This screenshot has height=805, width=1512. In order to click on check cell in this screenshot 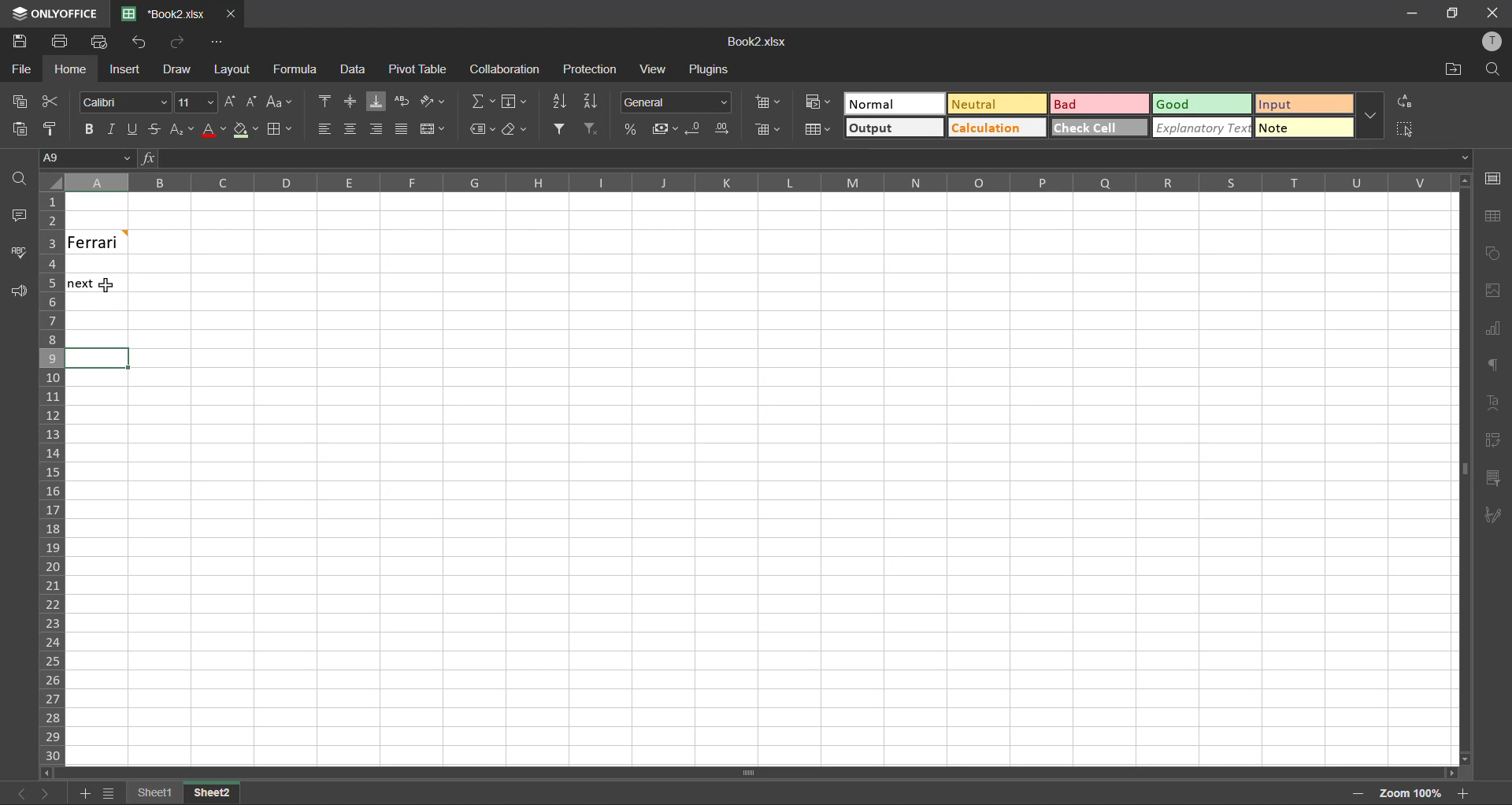, I will do `click(1096, 127)`.